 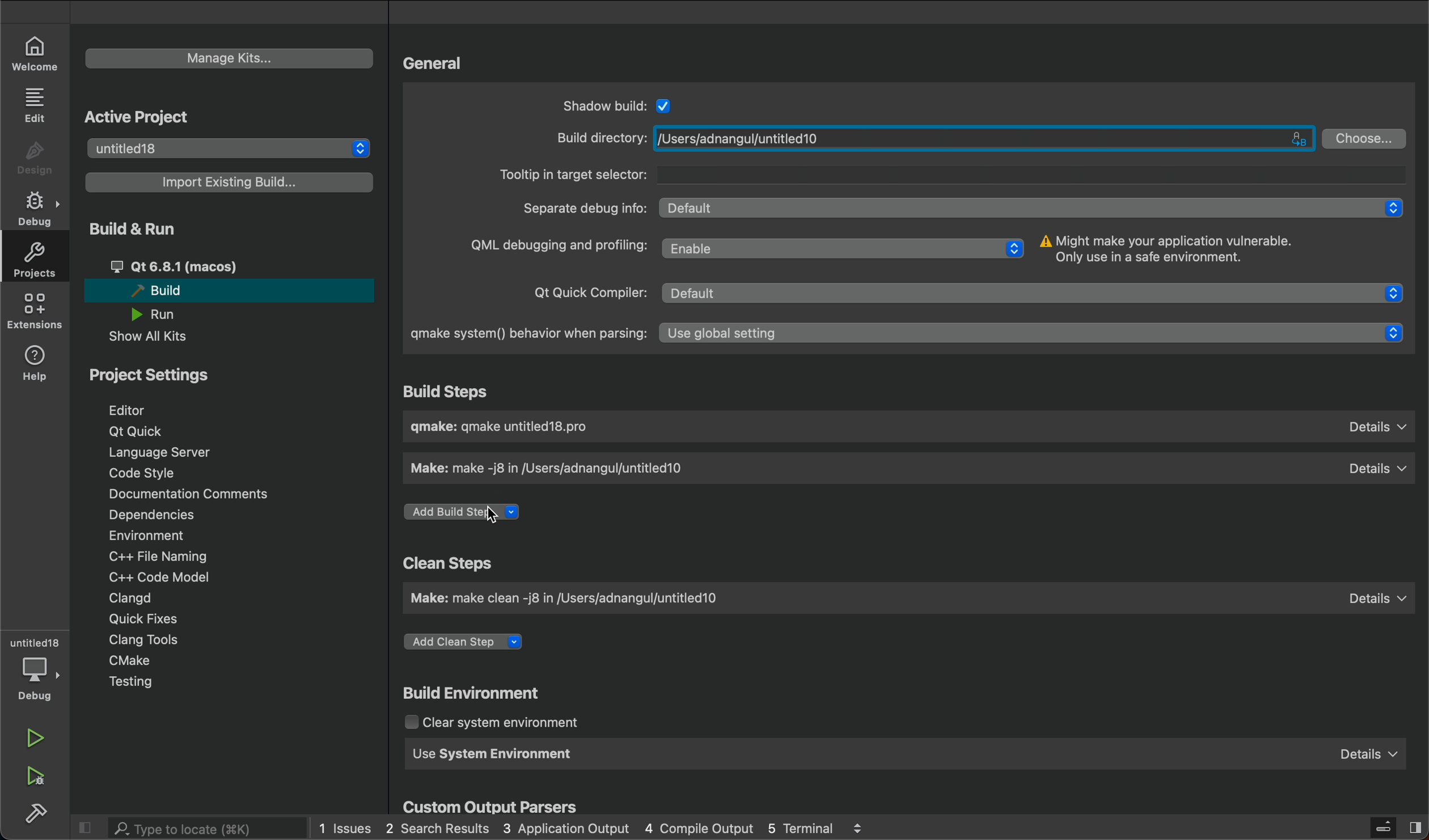 What do you see at coordinates (157, 452) in the screenshot?
I see `Language Server` at bounding box center [157, 452].